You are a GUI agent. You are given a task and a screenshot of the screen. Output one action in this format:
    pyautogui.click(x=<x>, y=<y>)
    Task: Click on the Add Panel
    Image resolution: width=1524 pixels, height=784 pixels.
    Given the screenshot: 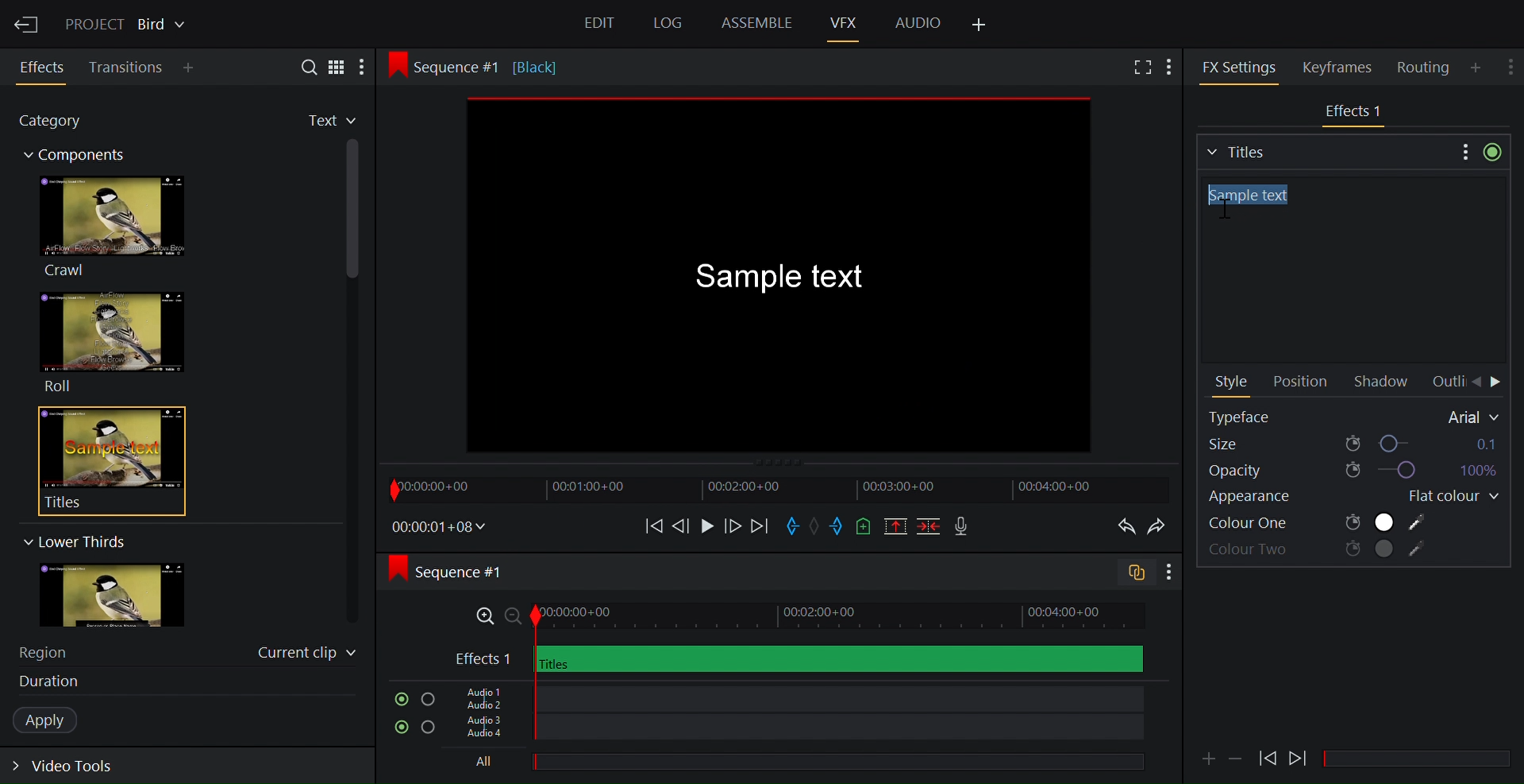 What is the action you would take?
    pyautogui.click(x=192, y=69)
    